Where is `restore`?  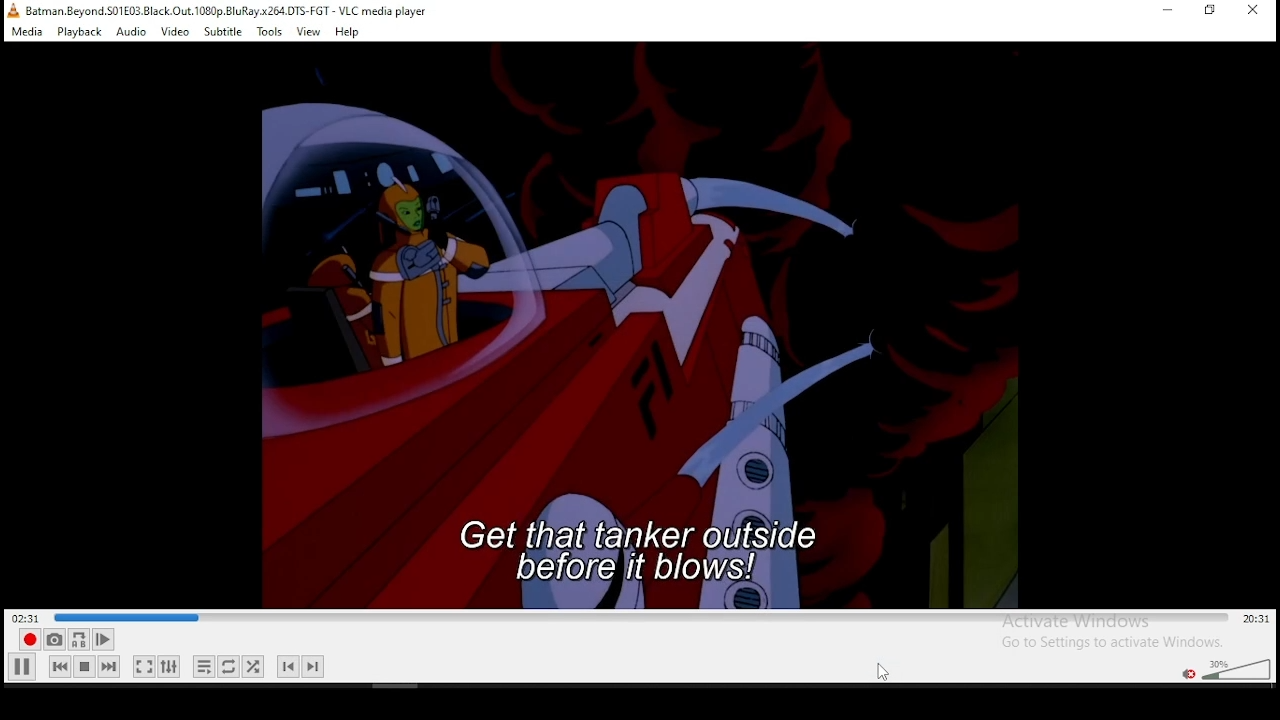
restore is located at coordinates (1210, 11).